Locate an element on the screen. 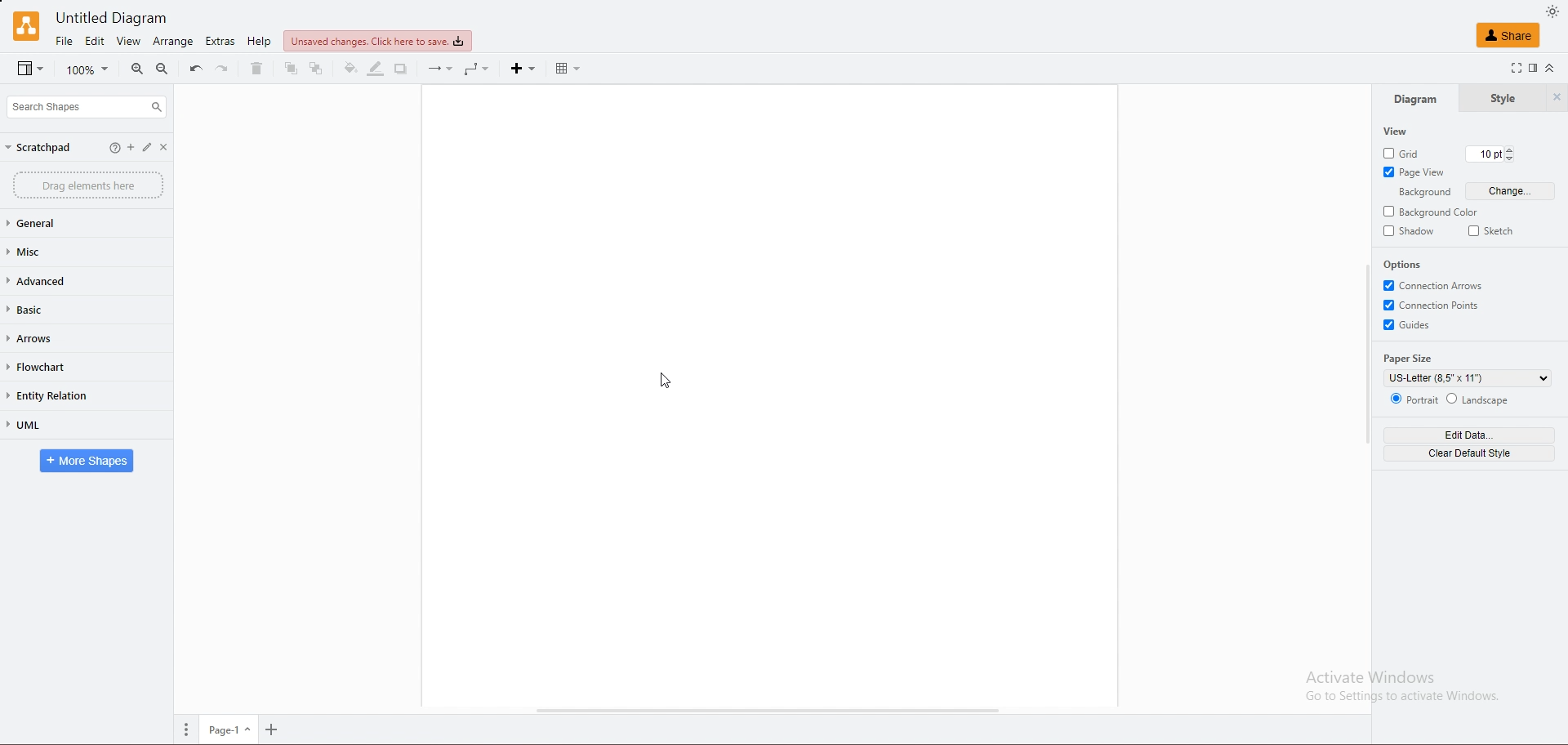 This screenshot has height=745, width=1568. delete is located at coordinates (256, 69).